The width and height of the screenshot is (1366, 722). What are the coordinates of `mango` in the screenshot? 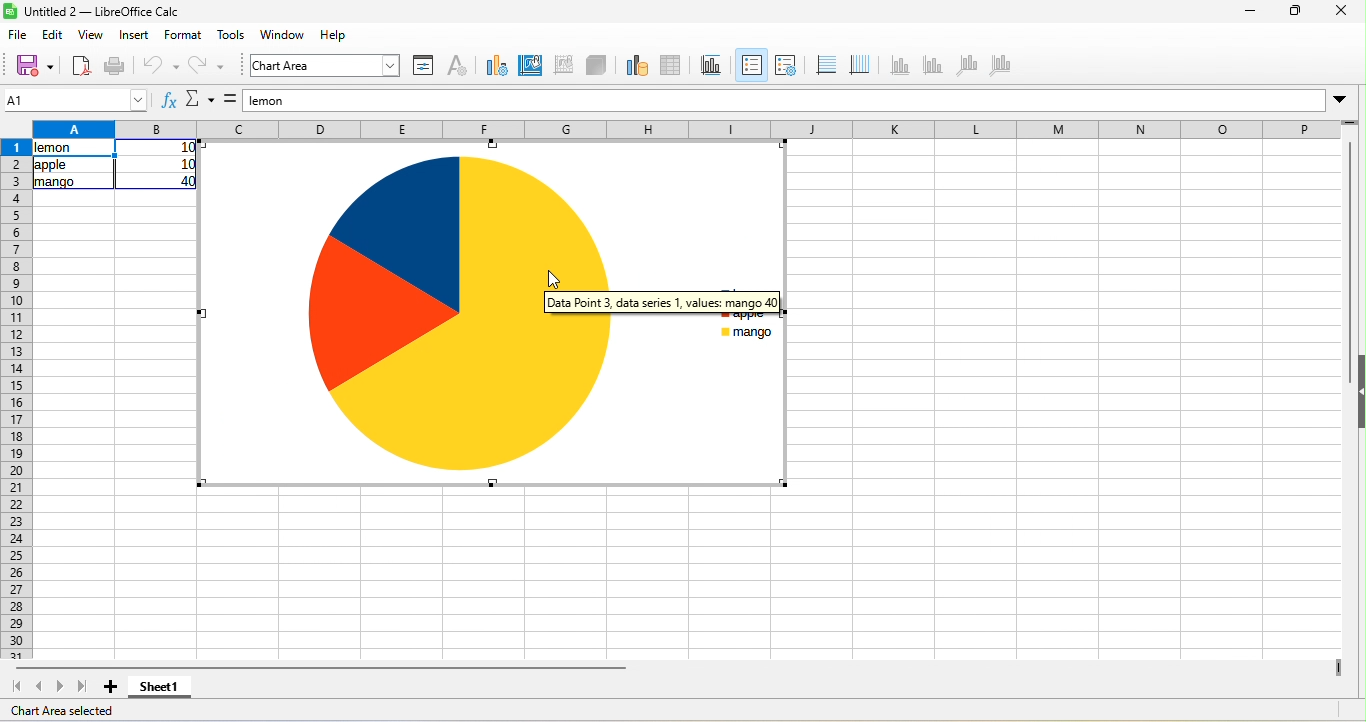 It's located at (749, 333).